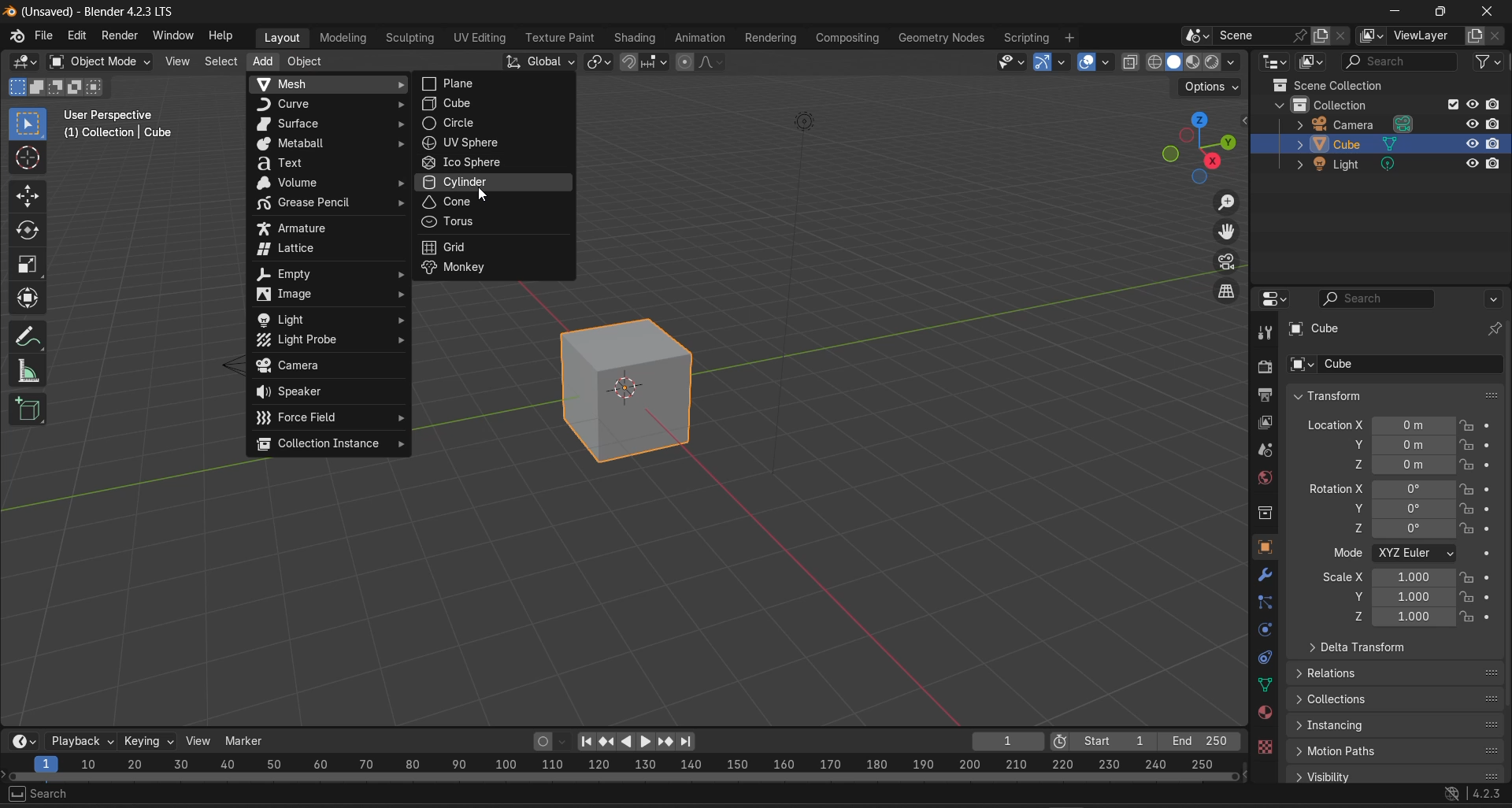 The height and width of the screenshot is (808, 1512). Describe the element at coordinates (332, 164) in the screenshot. I see `text` at that location.